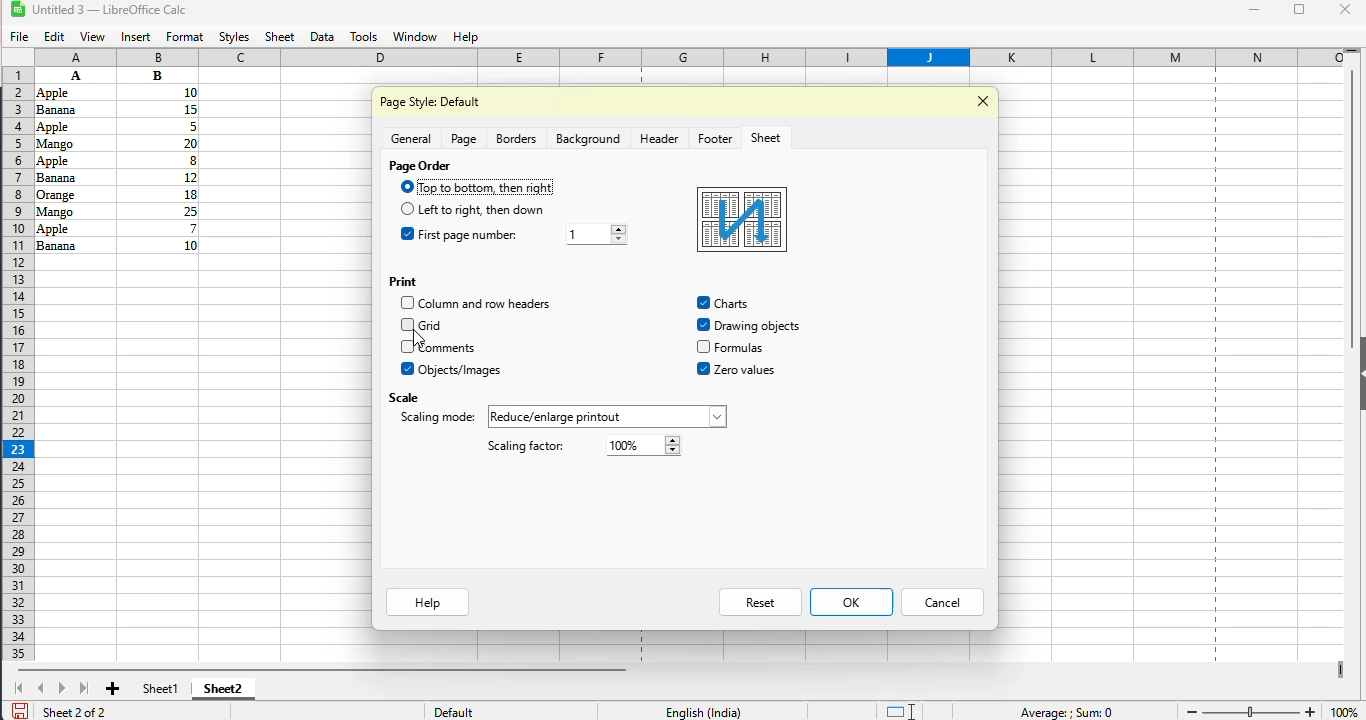 Image resolution: width=1366 pixels, height=720 pixels. What do you see at coordinates (487, 187) in the screenshot?
I see `top to bottom, then right` at bounding box center [487, 187].